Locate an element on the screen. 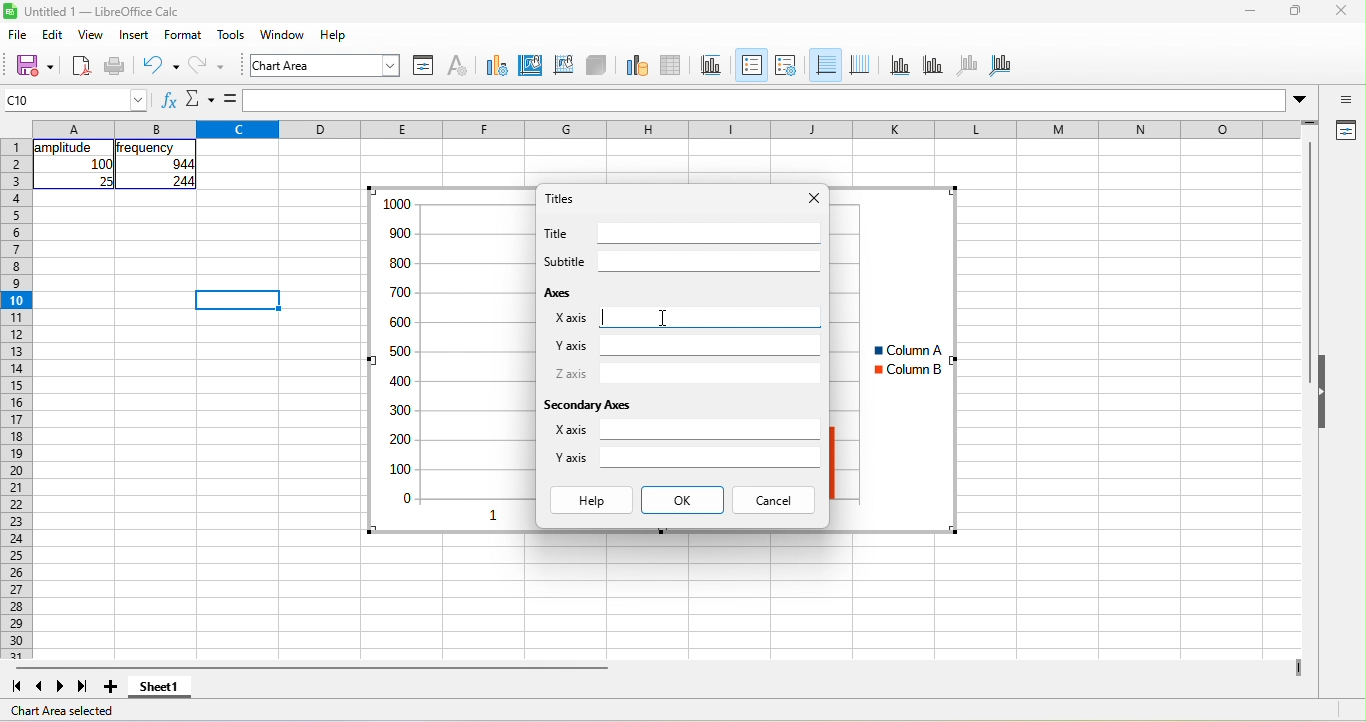 This screenshot has height=722, width=1366. 044 is located at coordinates (183, 164).